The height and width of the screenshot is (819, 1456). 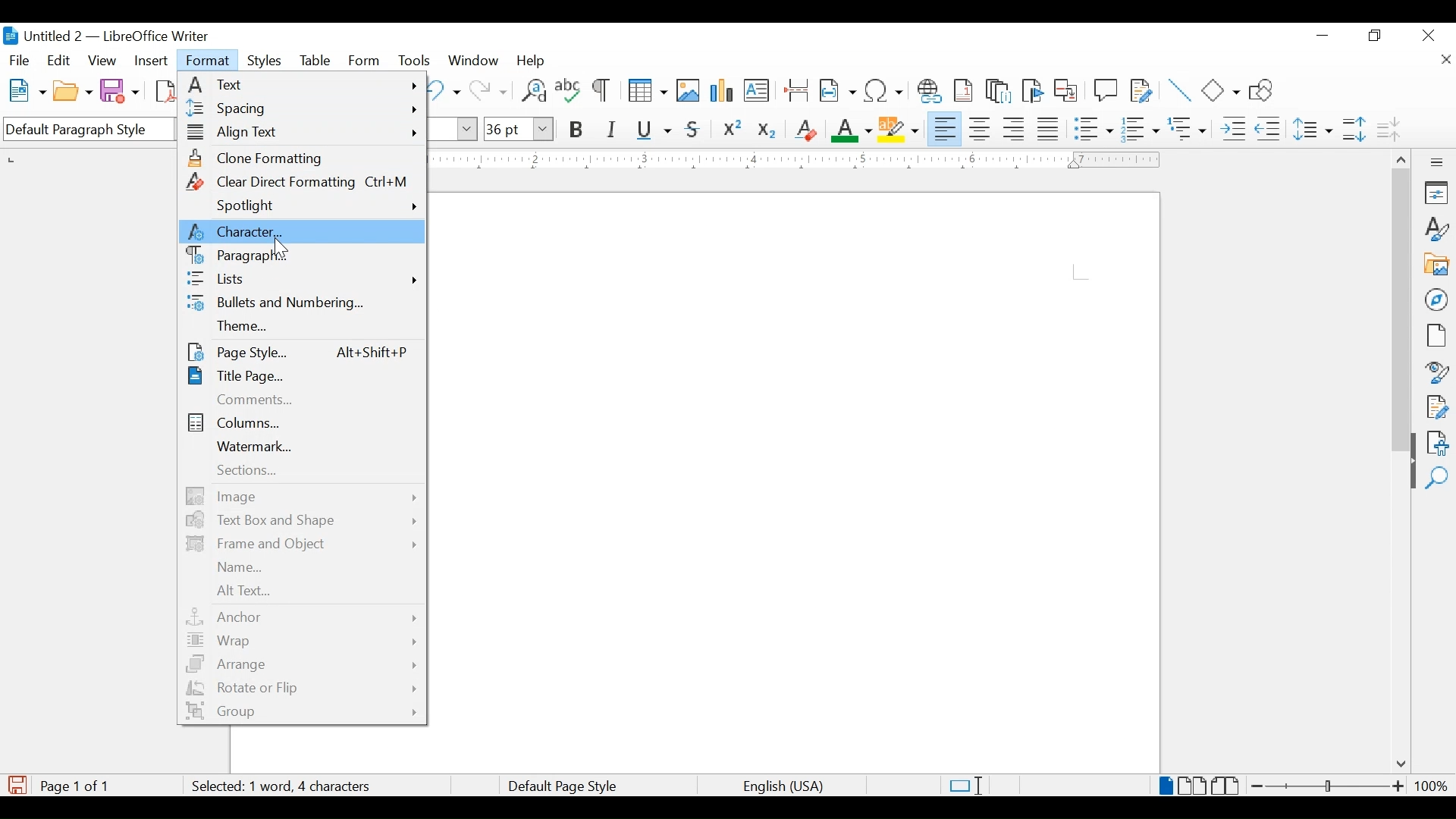 I want to click on new comment, so click(x=1106, y=90).